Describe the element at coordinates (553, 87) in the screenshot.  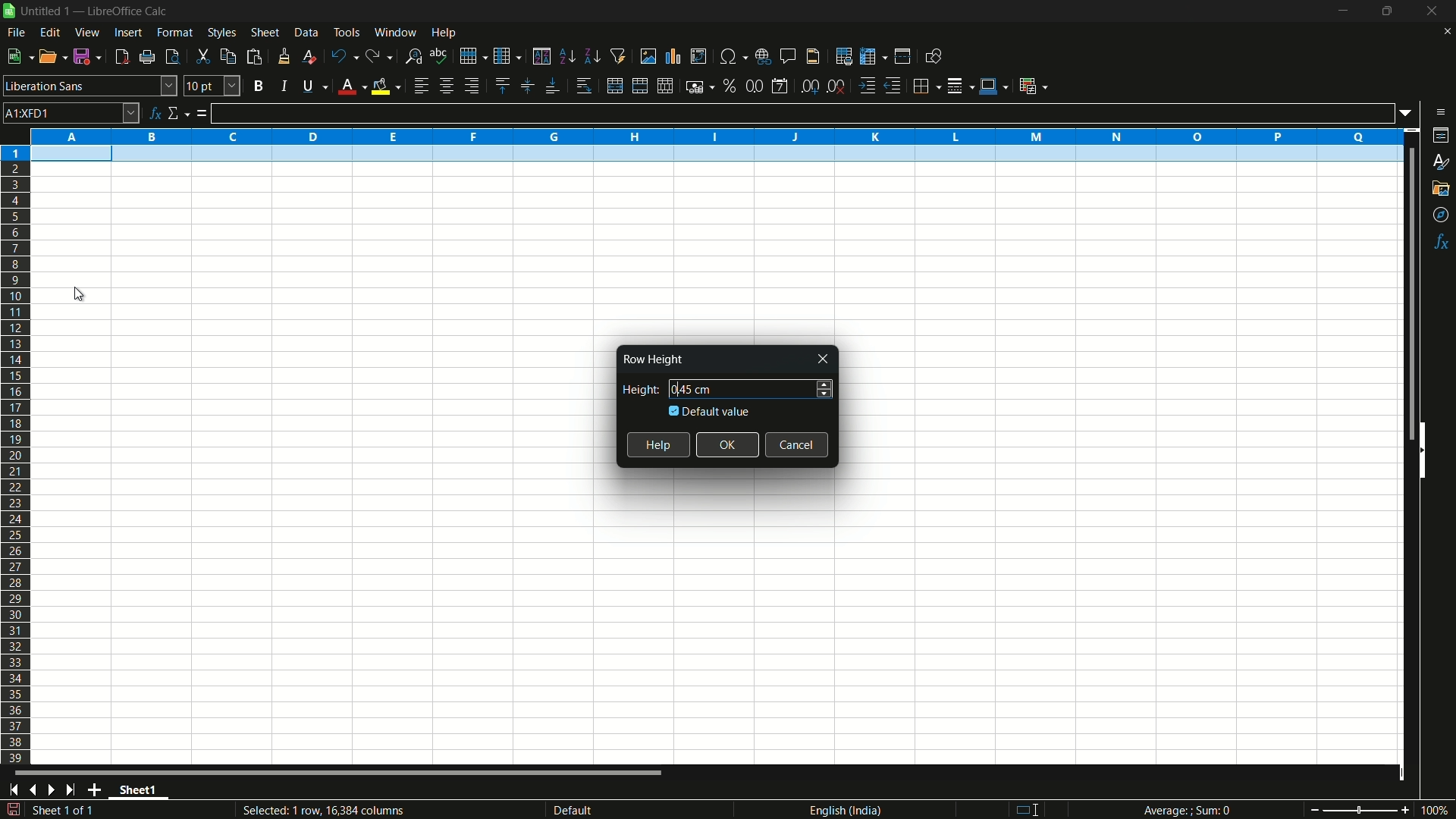
I see `align bottom` at that location.